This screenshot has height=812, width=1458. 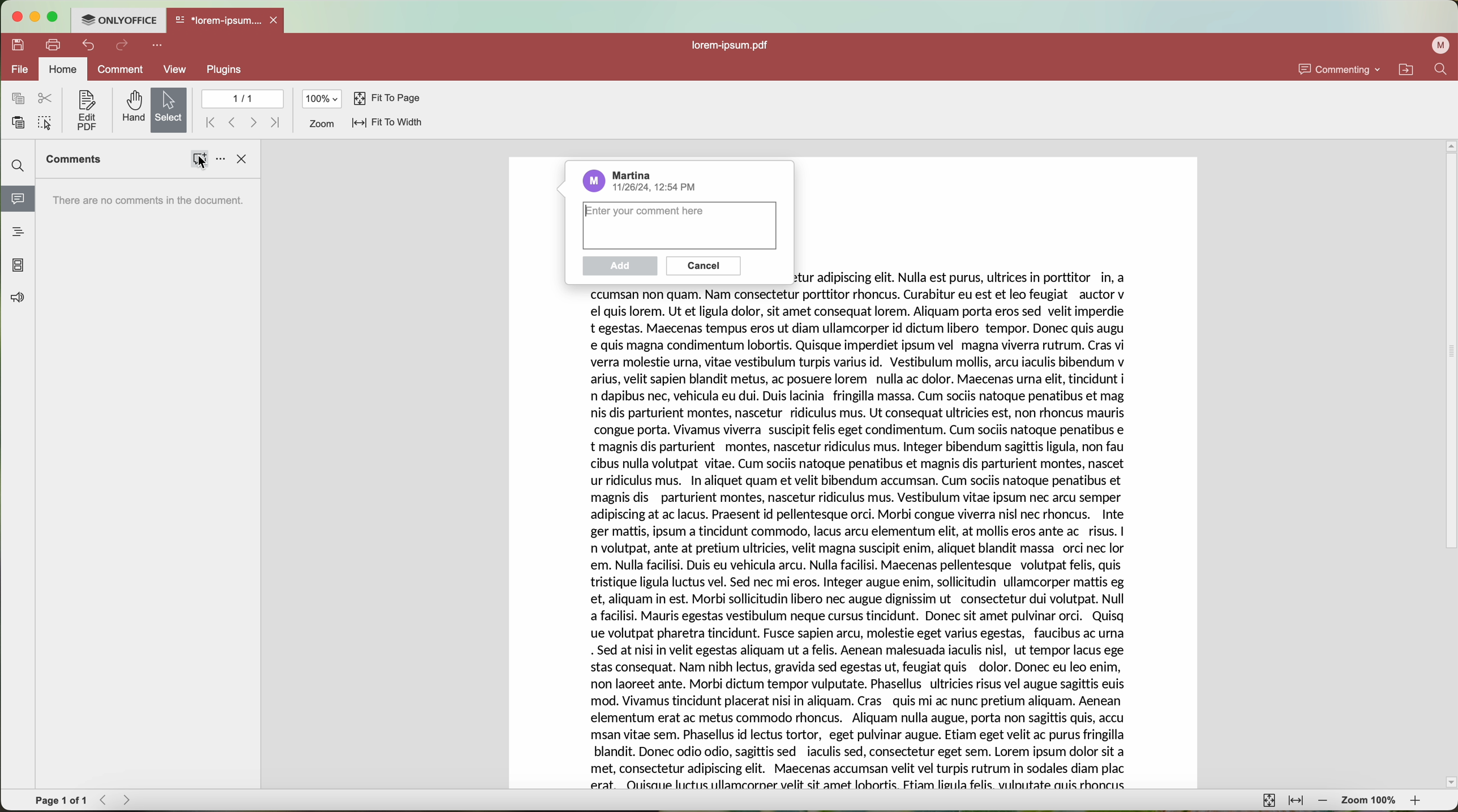 I want to click on edit PDF, so click(x=85, y=111).